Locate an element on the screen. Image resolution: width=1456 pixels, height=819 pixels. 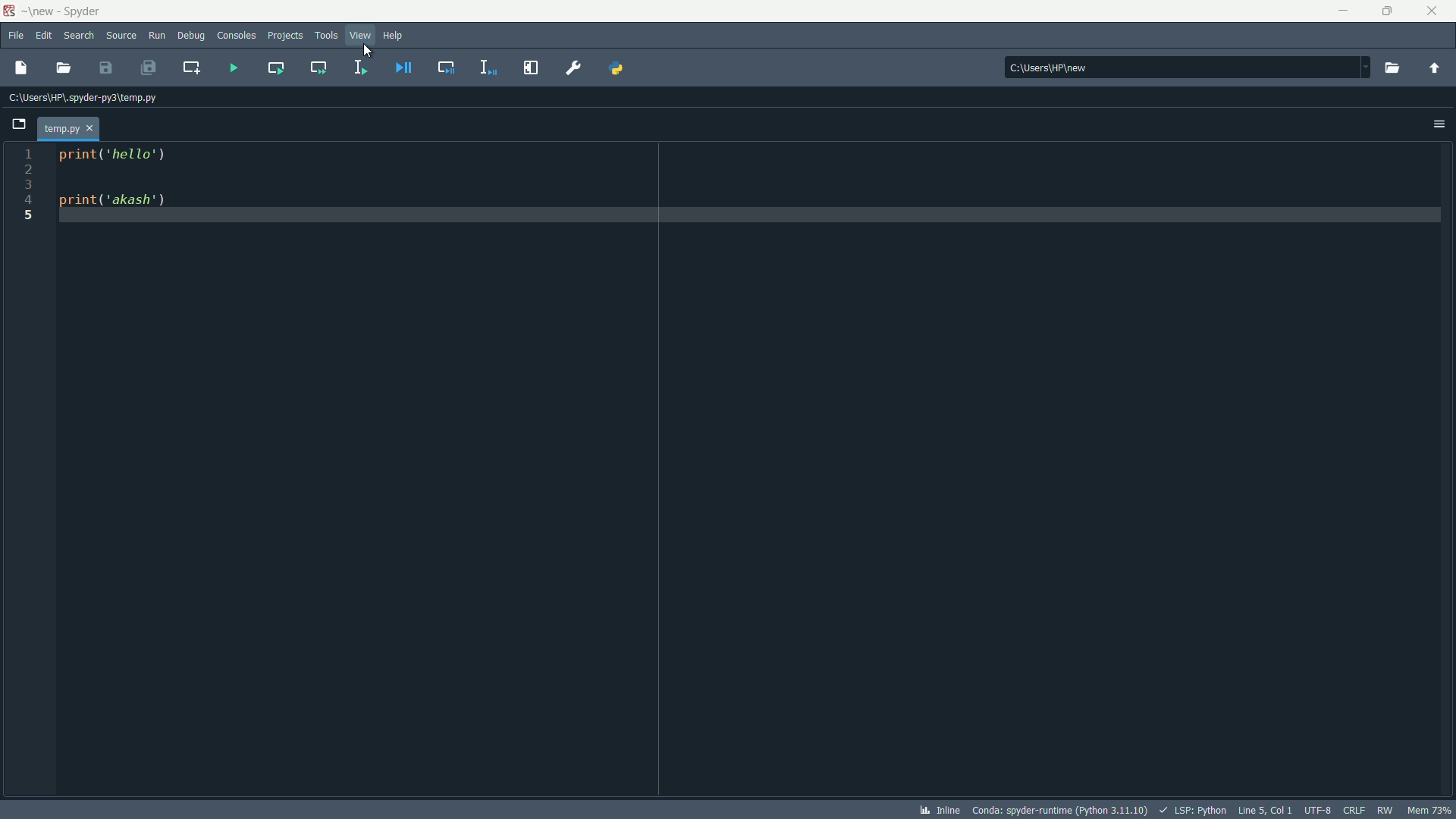
save file is located at coordinates (105, 68).